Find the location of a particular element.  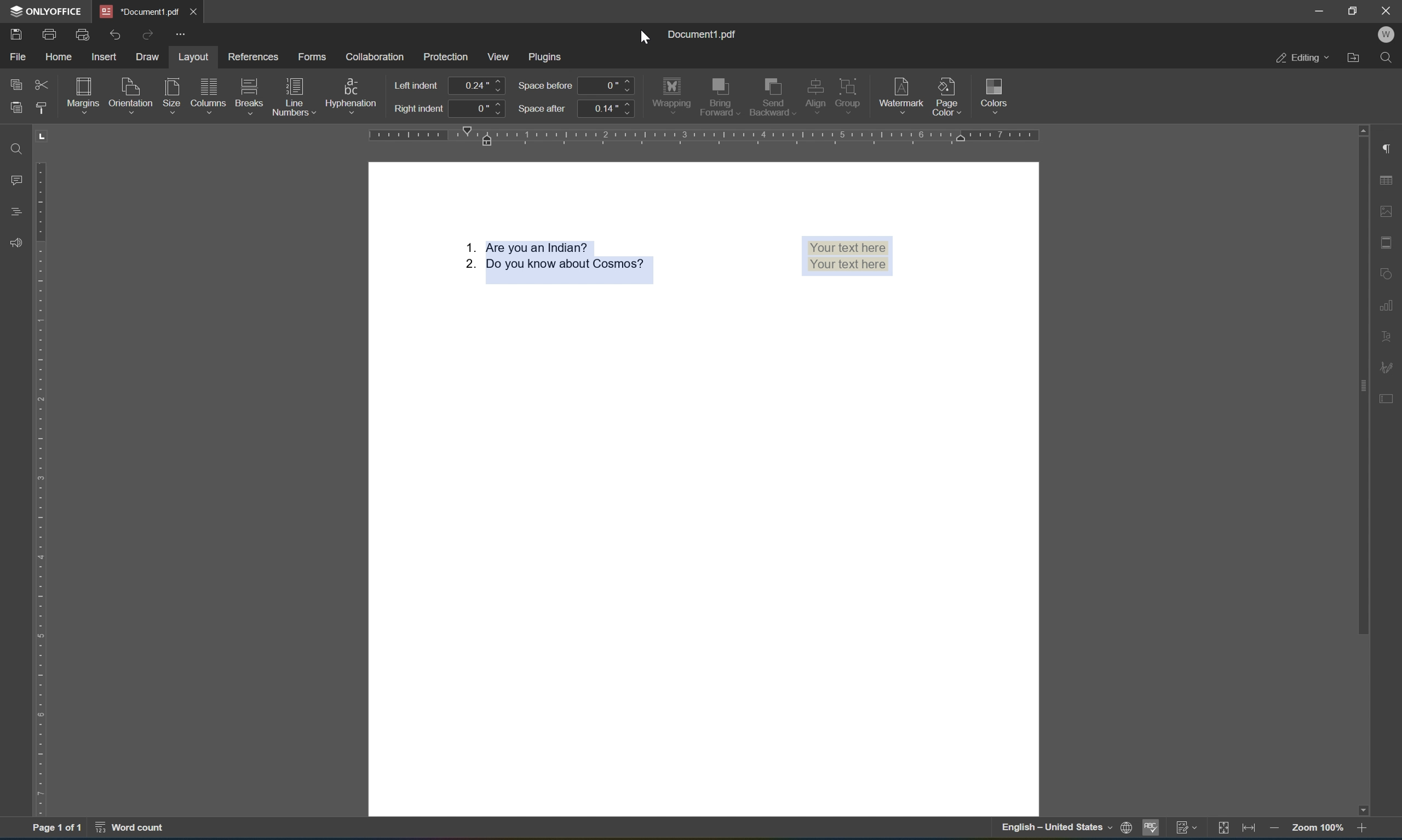

page color is located at coordinates (950, 94).